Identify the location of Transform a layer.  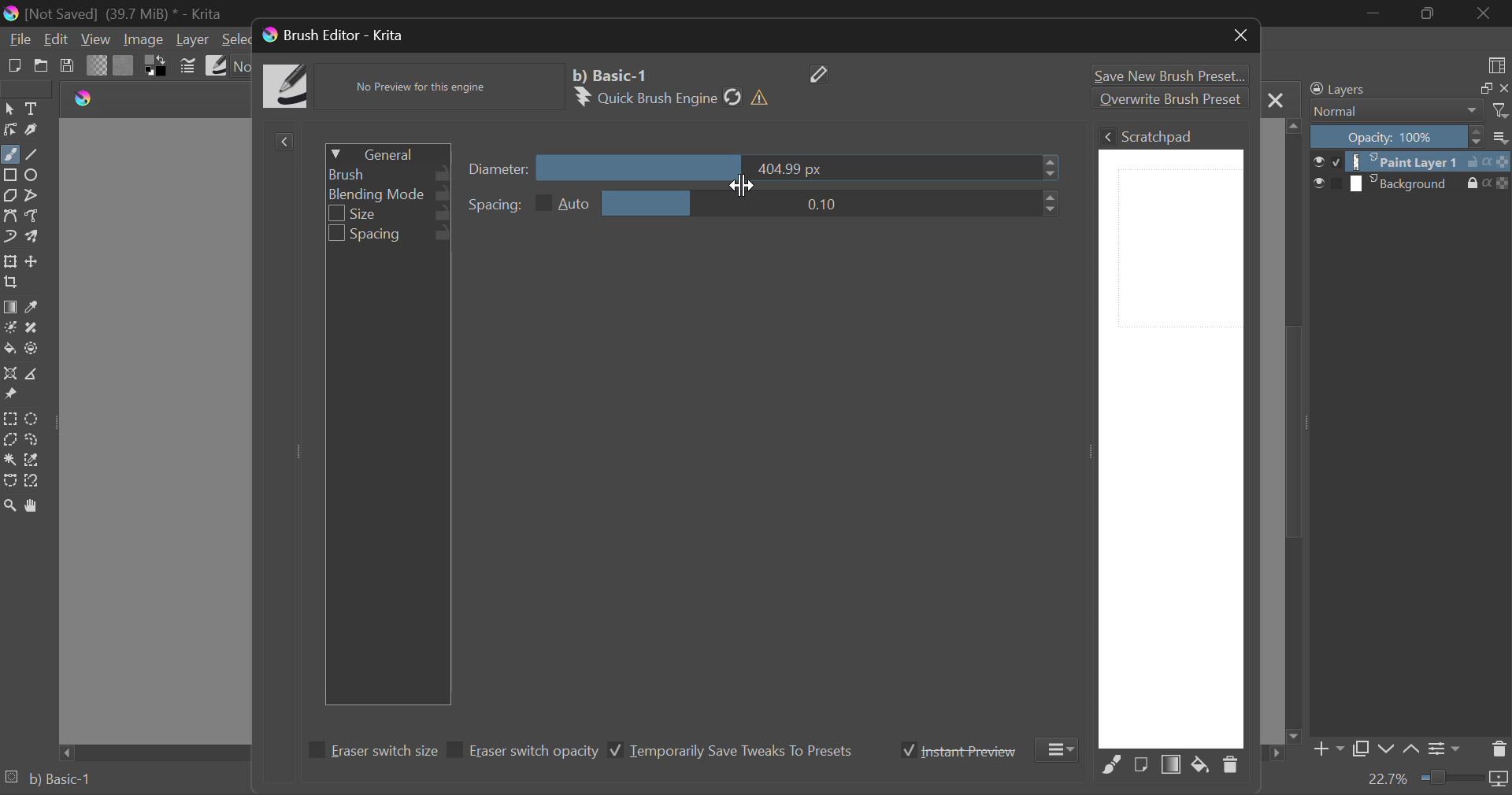
(9, 261).